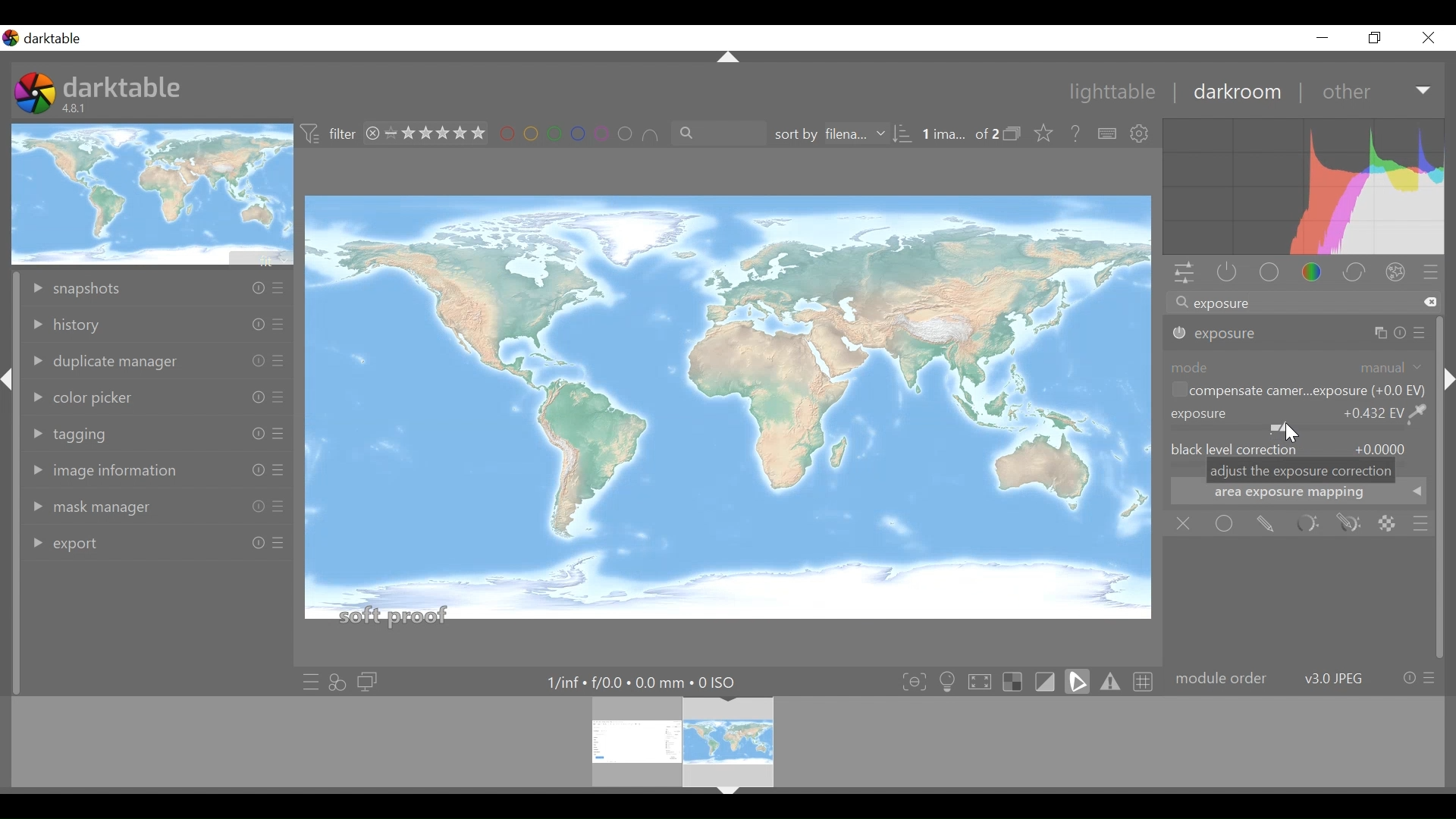 This screenshot has height=819, width=1456. Describe the element at coordinates (1421, 333) in the screenshot. I see `` at that location.